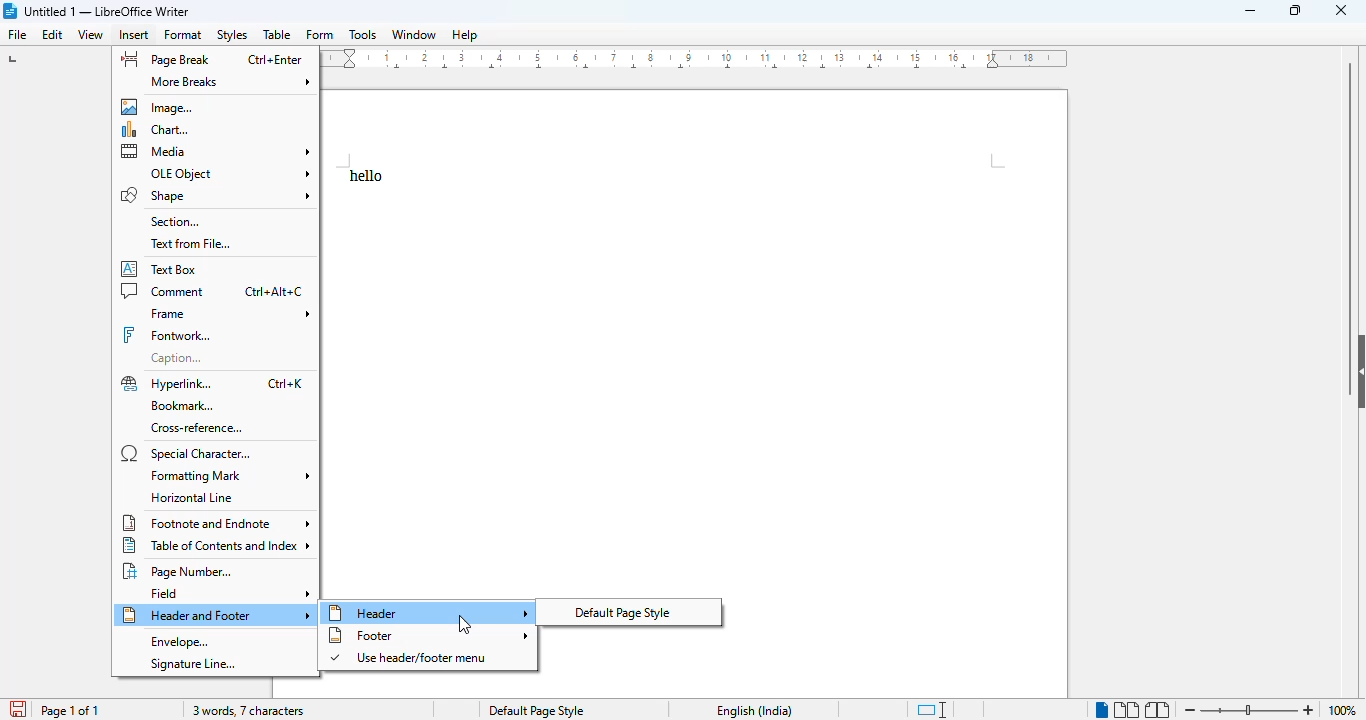  I want to click on page break, so click(166, 59).